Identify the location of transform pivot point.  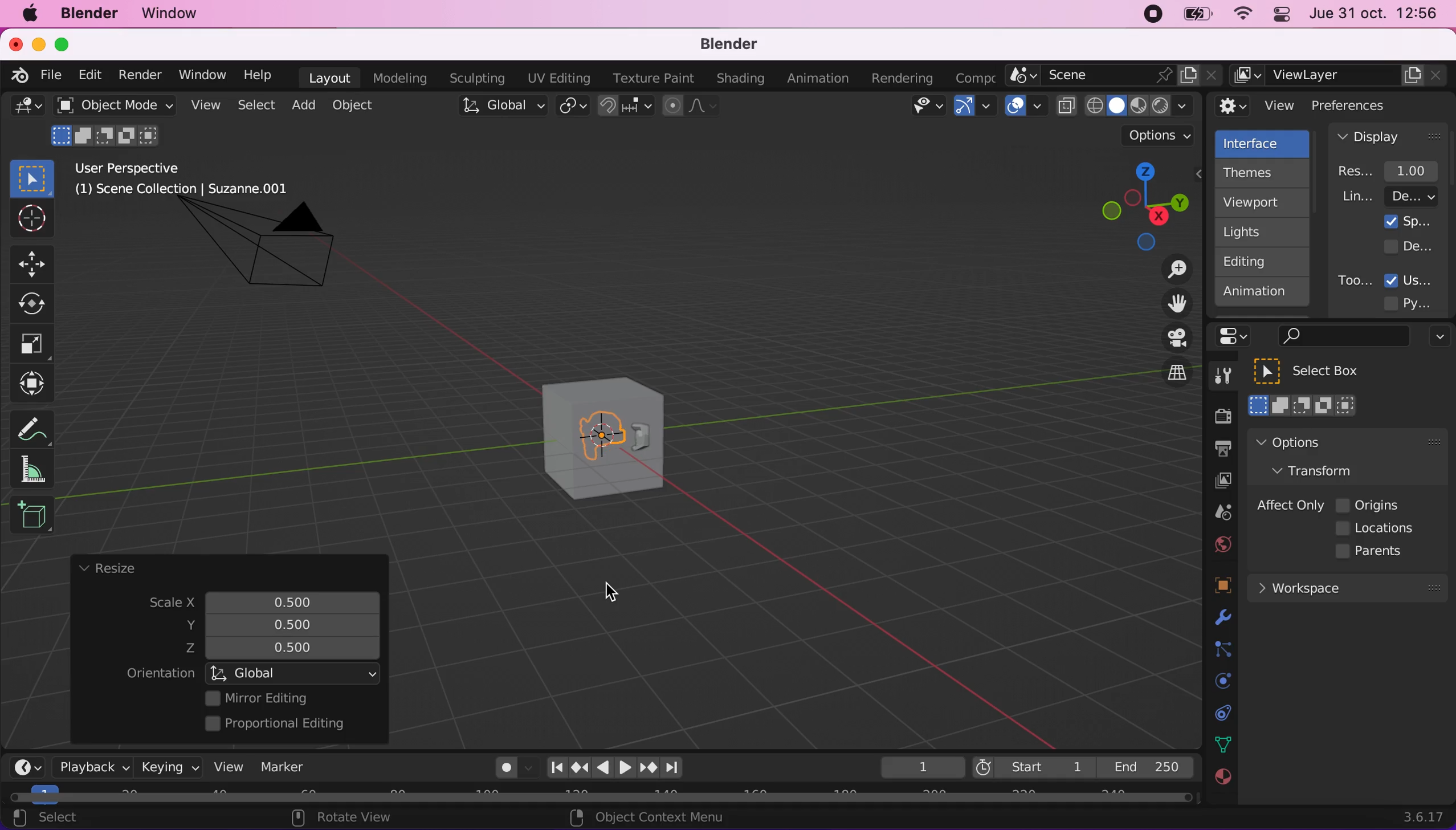
(574, 107).